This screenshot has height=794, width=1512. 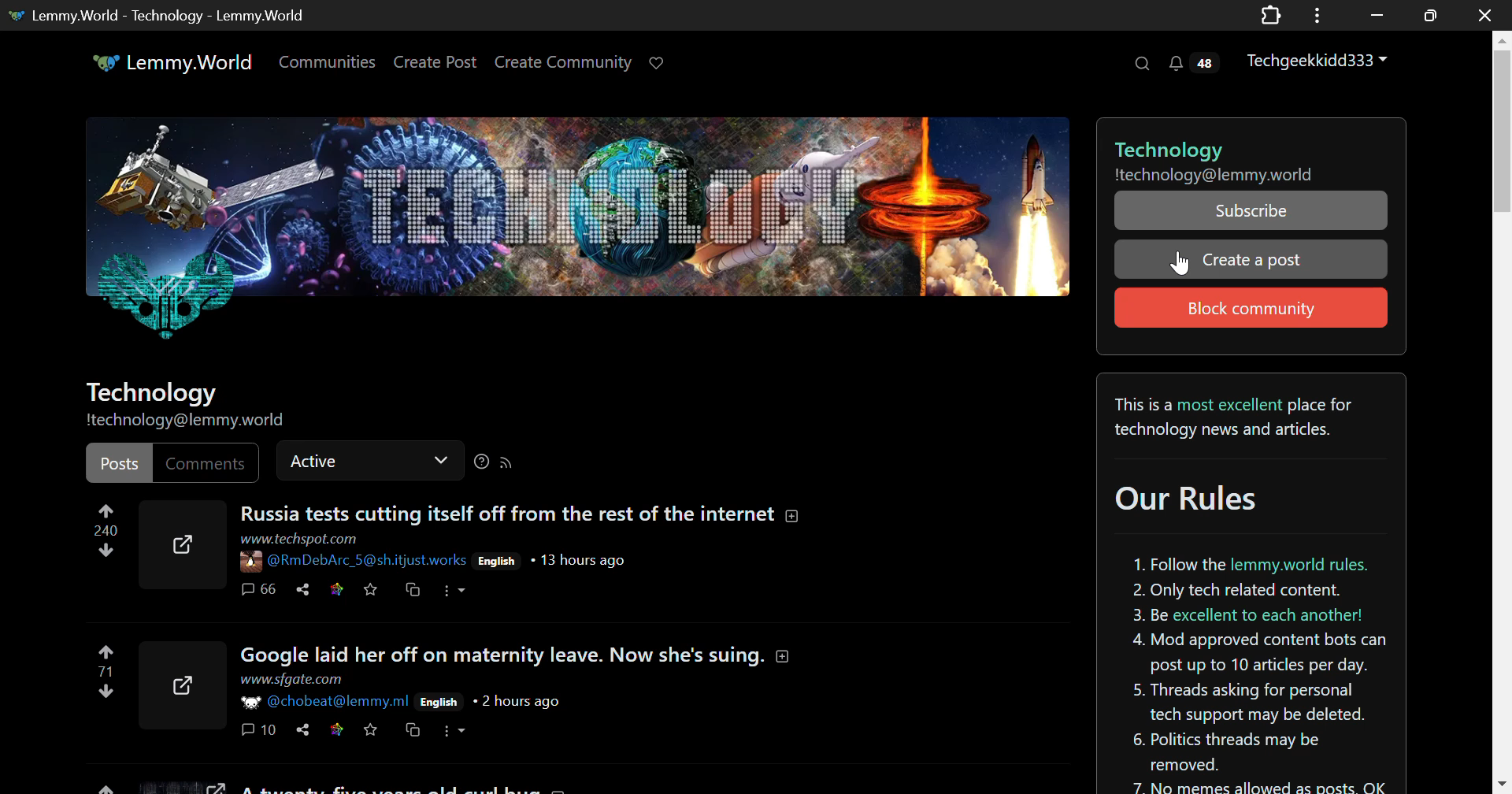 I want to click on Lemmy.World, so click(x=169, y=63).